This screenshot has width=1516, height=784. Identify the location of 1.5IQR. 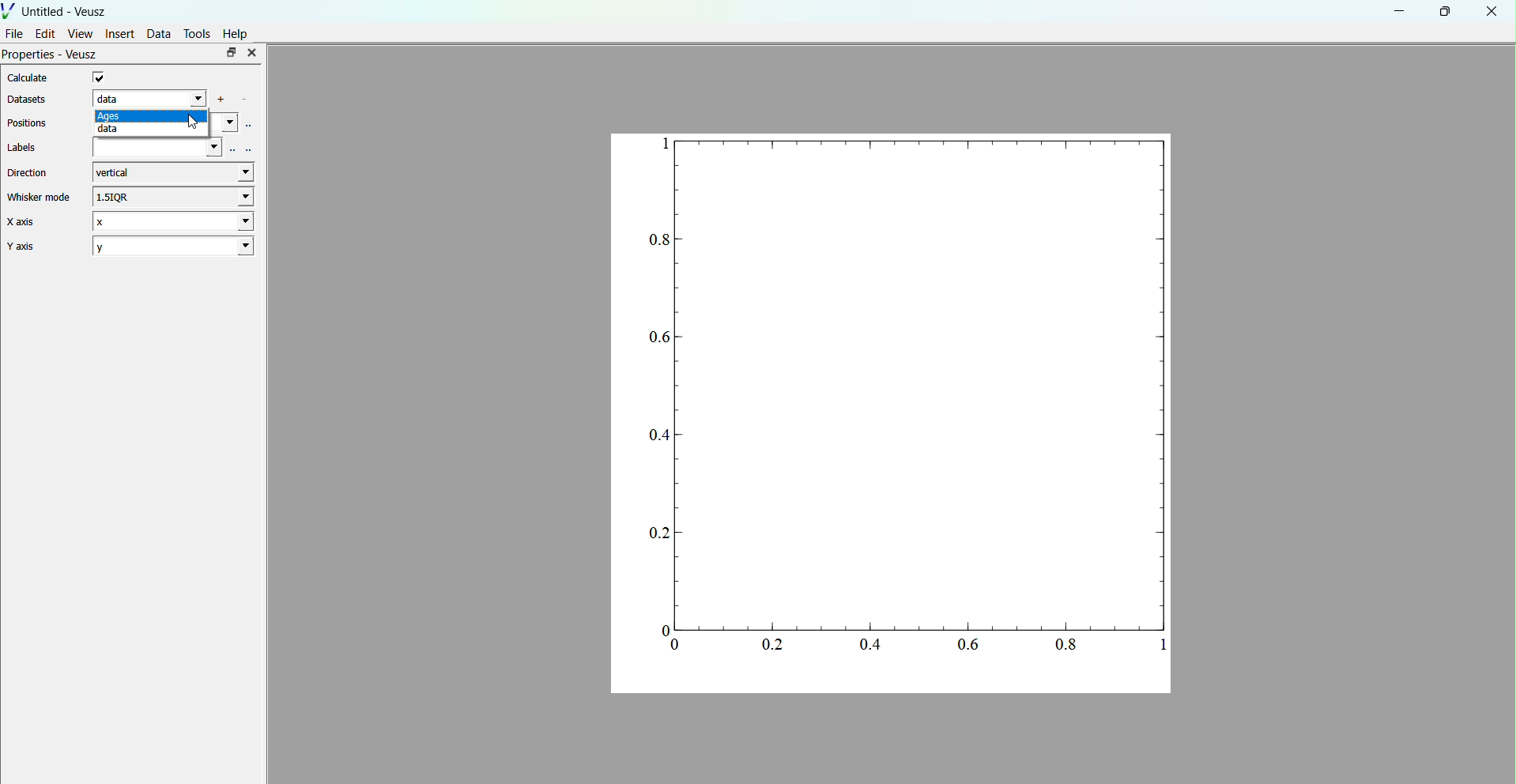
(172, 196).